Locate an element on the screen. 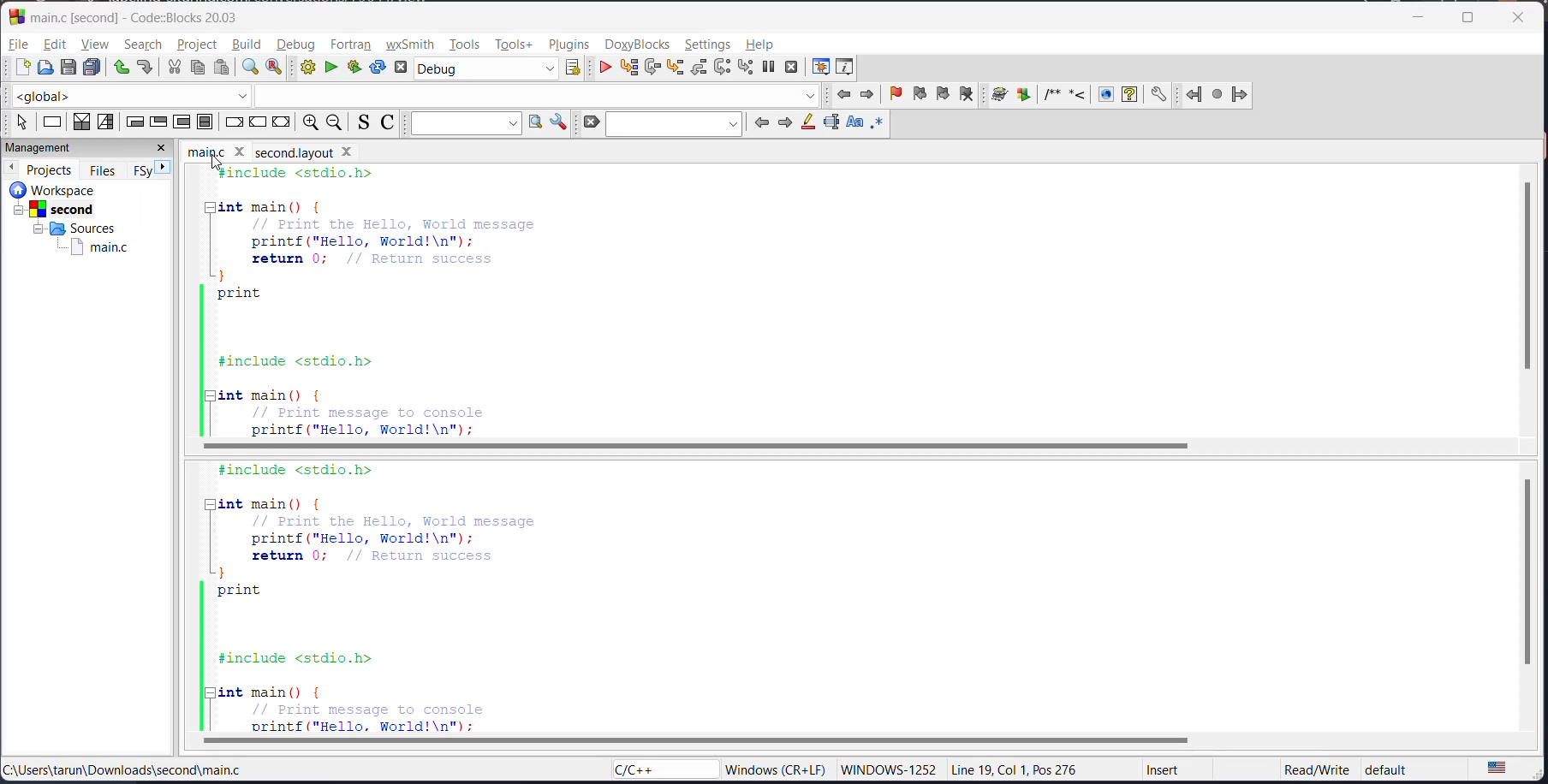  build is located at coordinates (250, 46).